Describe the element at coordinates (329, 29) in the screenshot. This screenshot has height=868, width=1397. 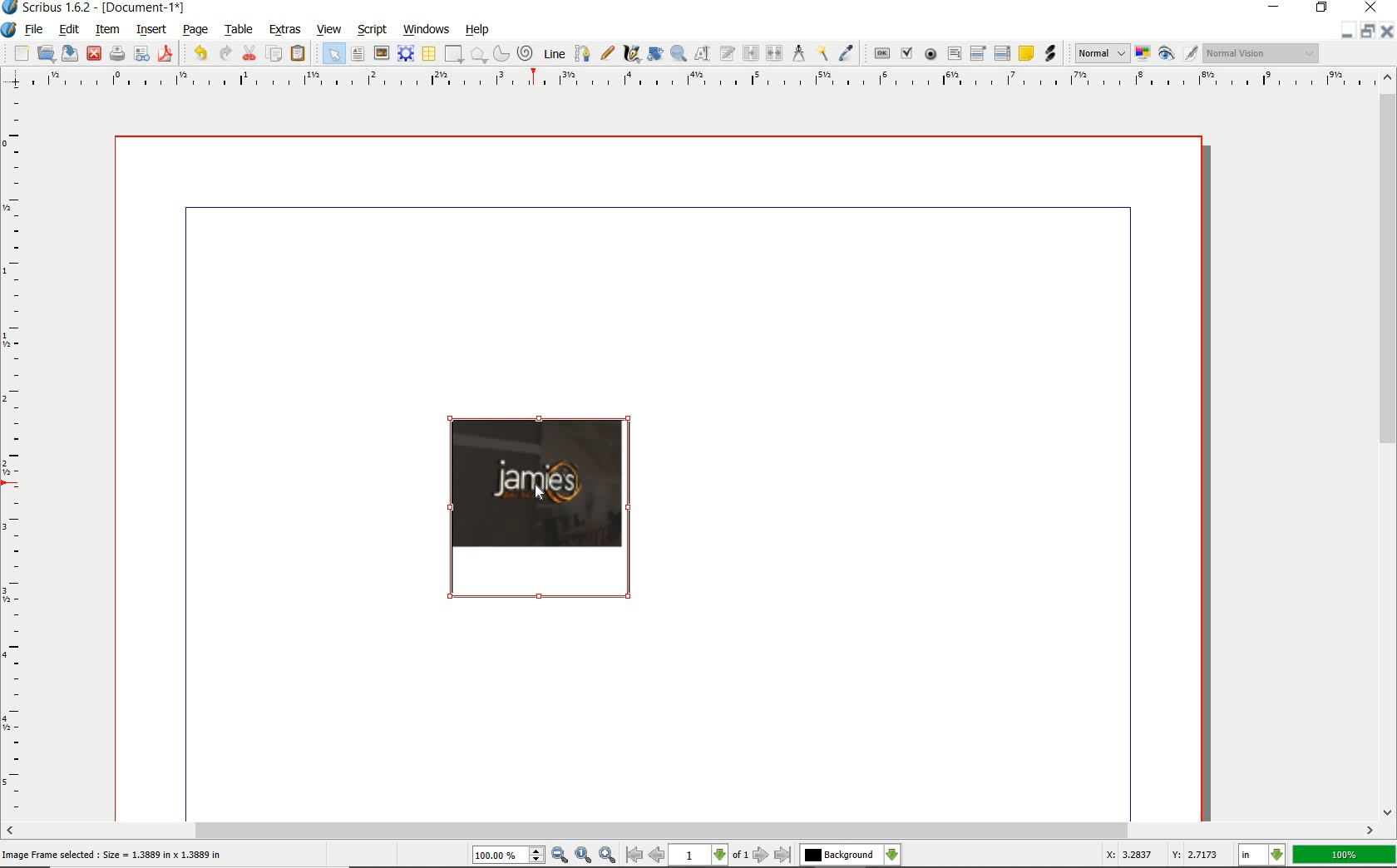
I see `view` at that location.